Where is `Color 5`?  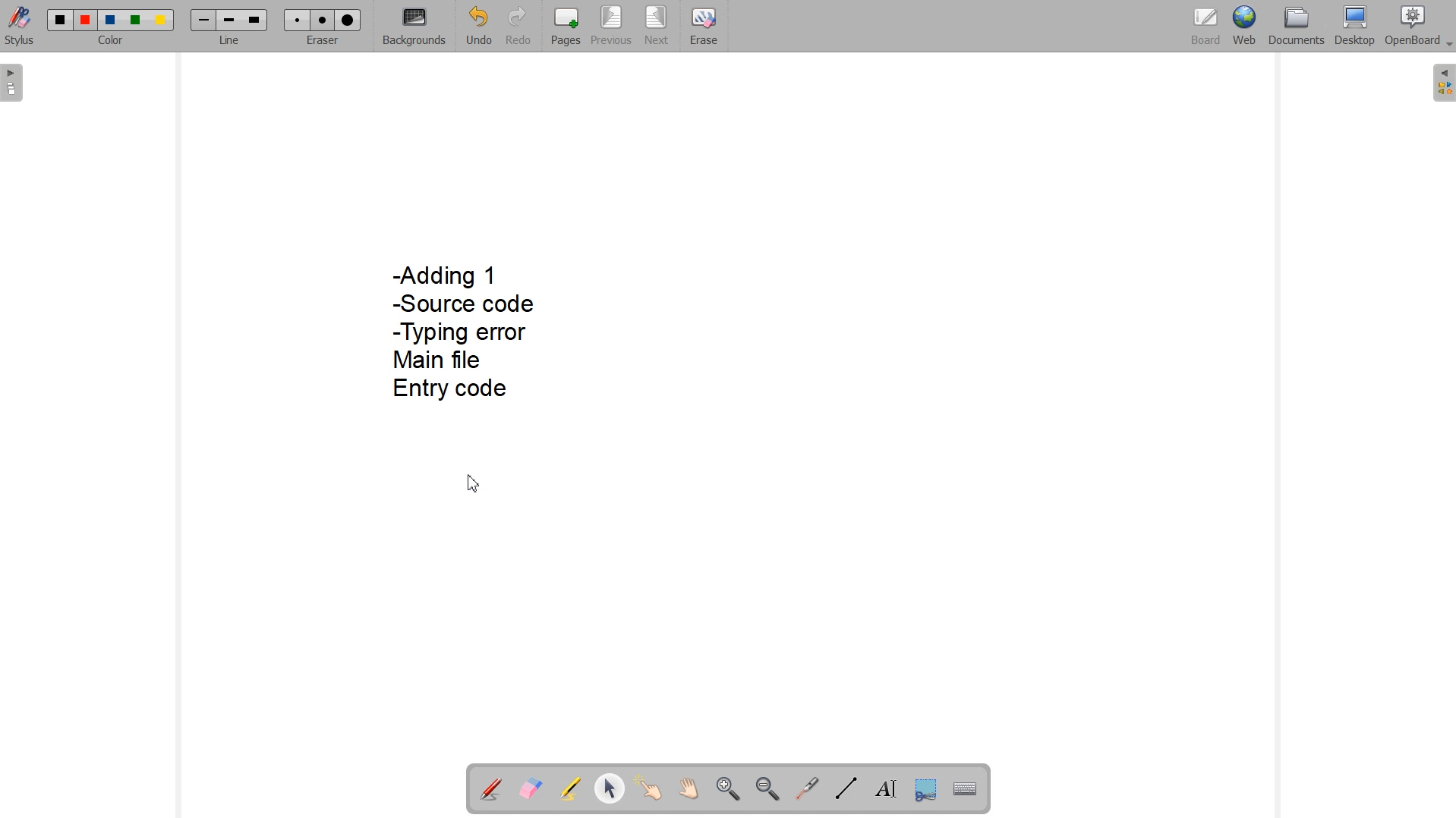
Color 5 is located at coordinates (162, 20).